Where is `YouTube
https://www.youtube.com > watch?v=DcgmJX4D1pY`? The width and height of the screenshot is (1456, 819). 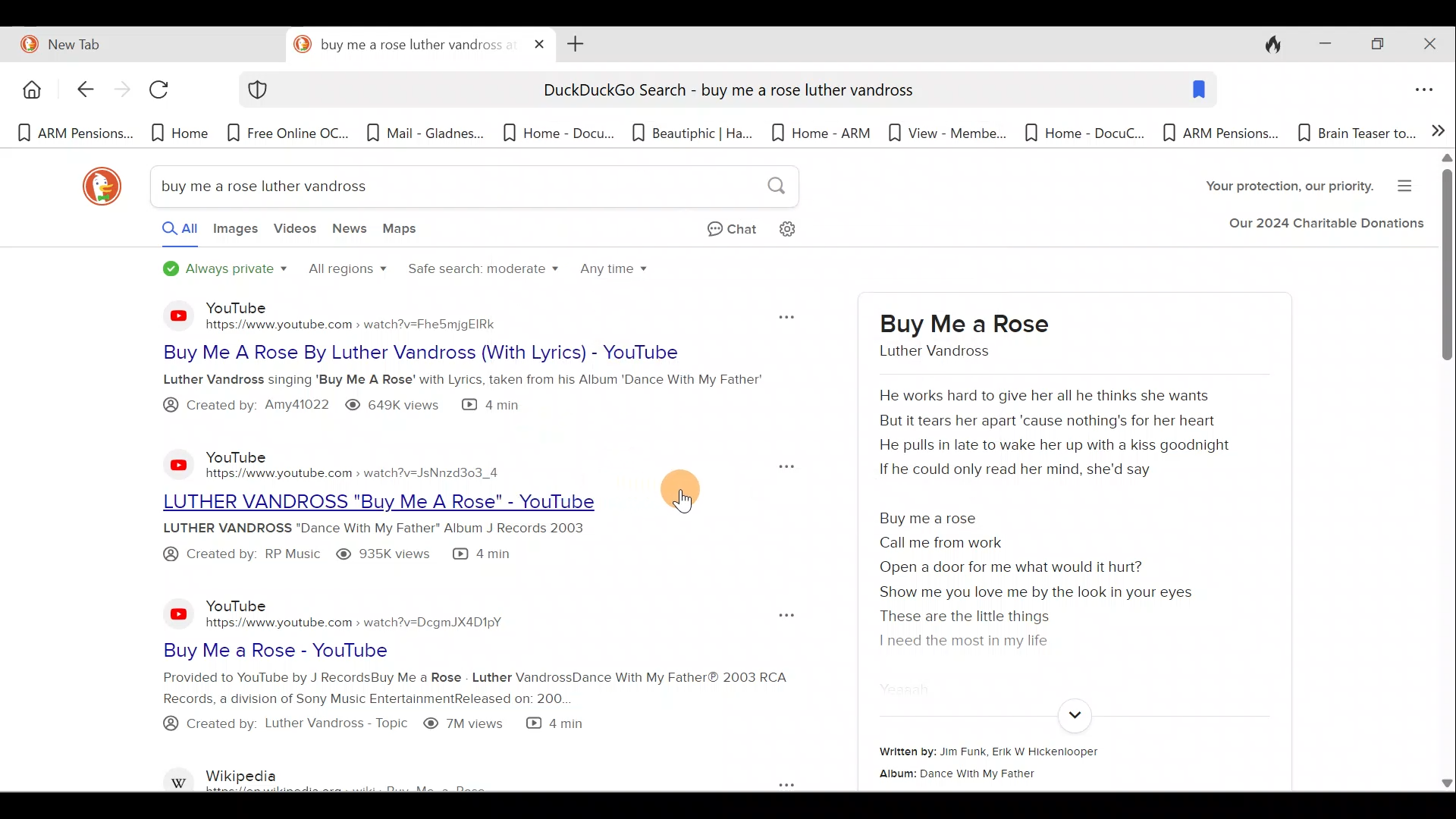 YouTube
https://www.youtube.com > watch?v=DcgmJX4D1pY is located at coordinates (362, 613).